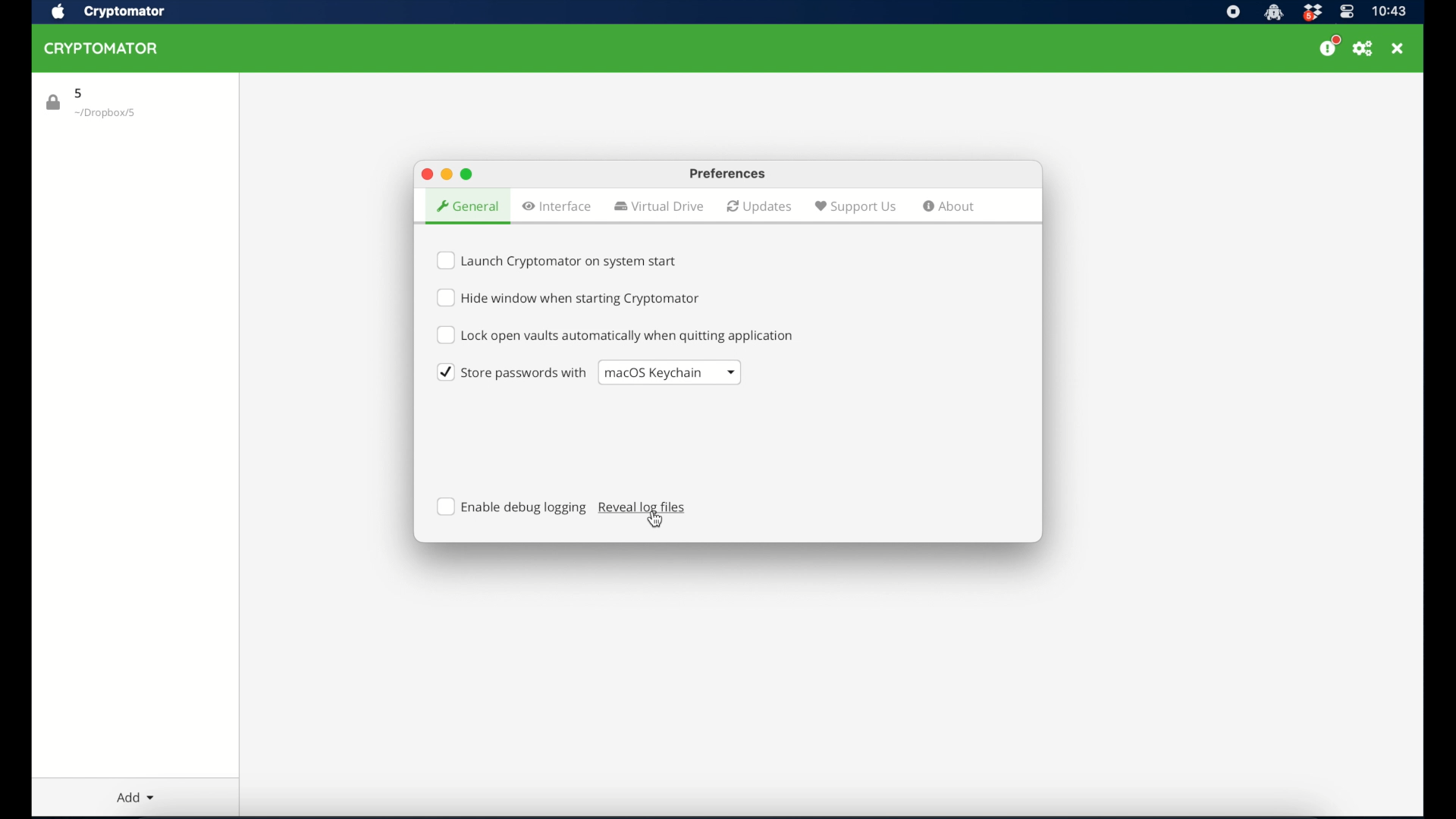 This screenshot has height=819, width=1456. What do you see at coordinates (855, 207) in the screenshot?
I see `support us` at bounding box center [855, 207].